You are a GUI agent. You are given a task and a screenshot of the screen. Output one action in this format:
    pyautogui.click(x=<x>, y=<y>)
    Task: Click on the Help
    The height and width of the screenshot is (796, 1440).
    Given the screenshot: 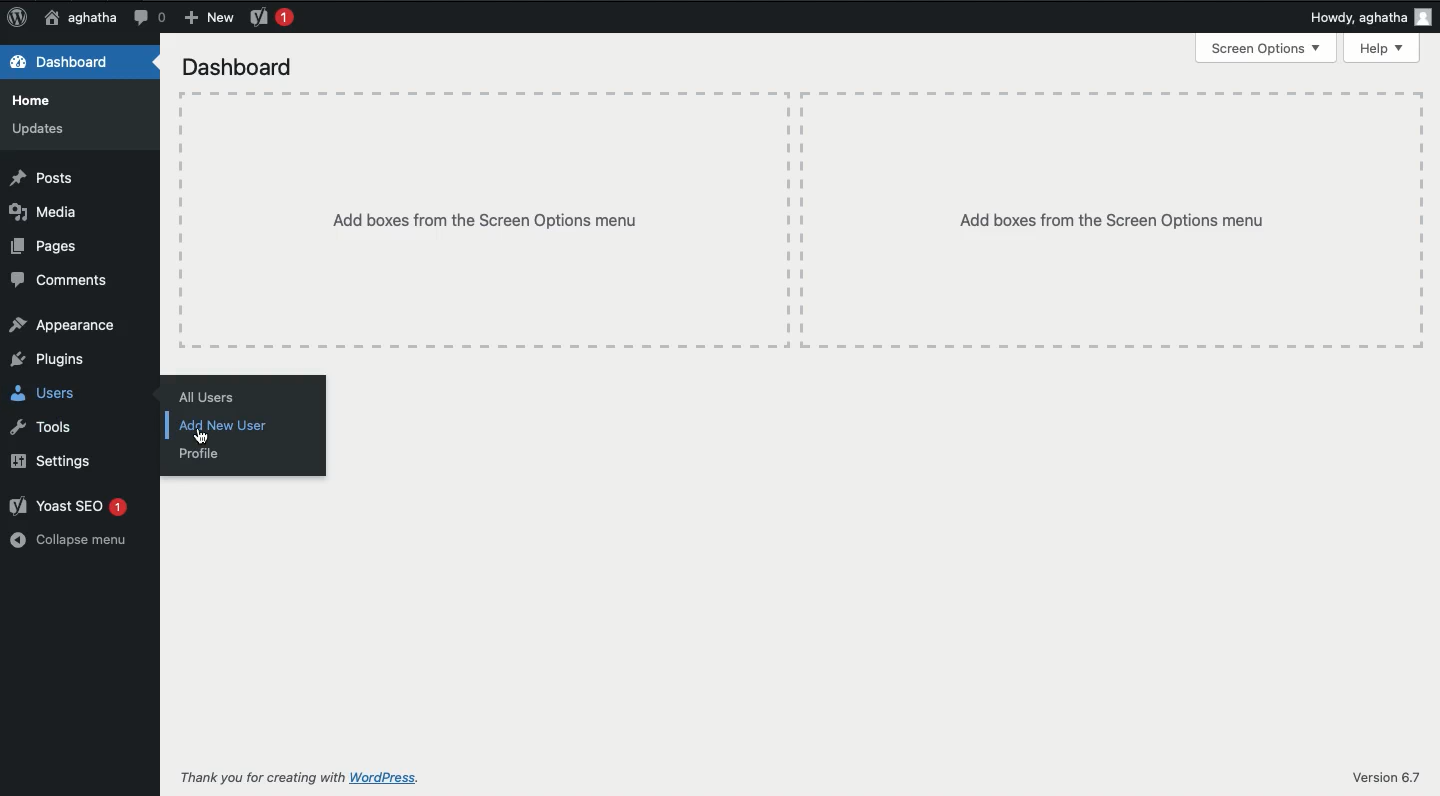 What is the action you would take?
    pyautogui.click(x=1381, y=48)
    